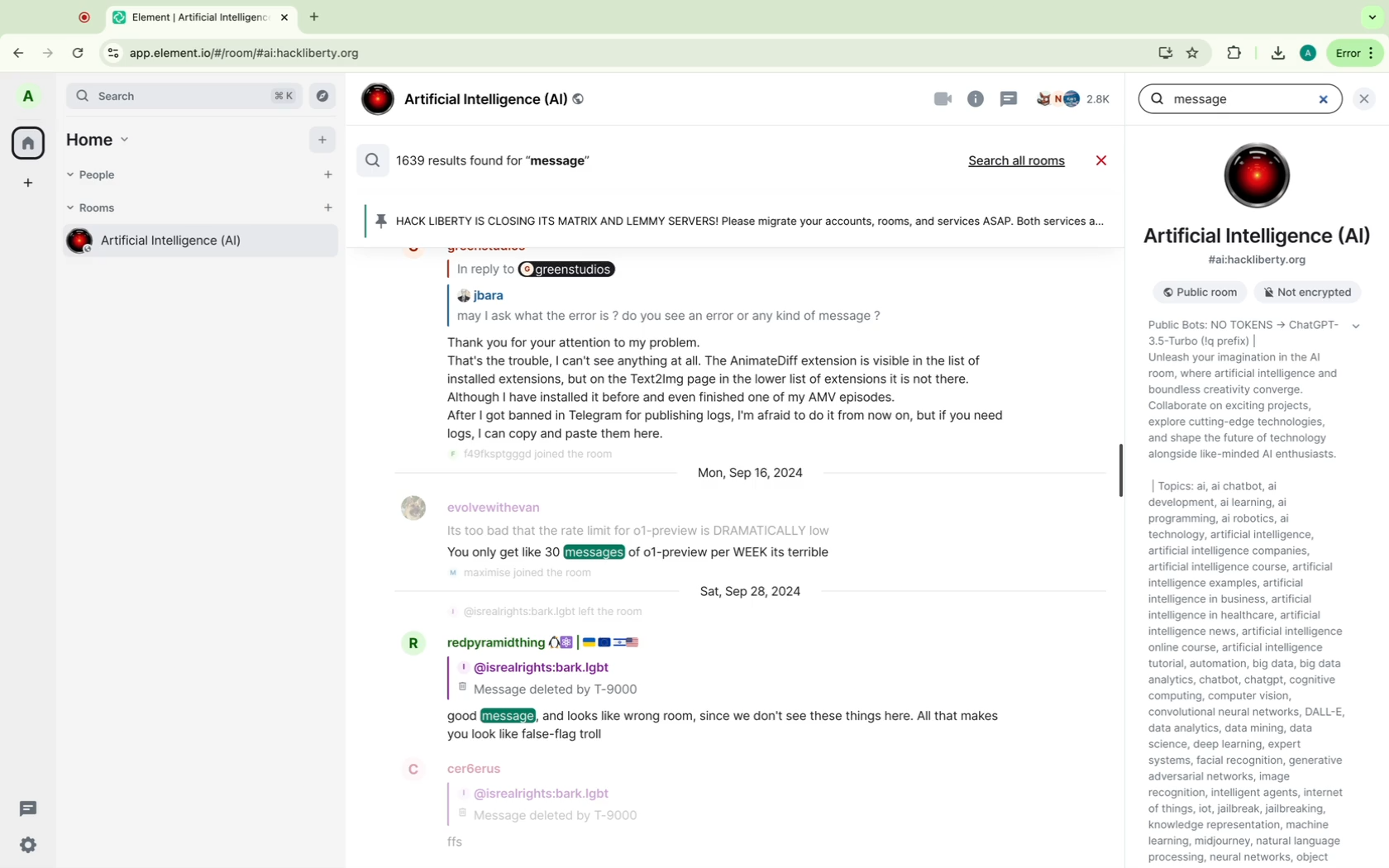  Describe the element at coordinates (475, 100) in the screenshot. I see `group name` at that location.